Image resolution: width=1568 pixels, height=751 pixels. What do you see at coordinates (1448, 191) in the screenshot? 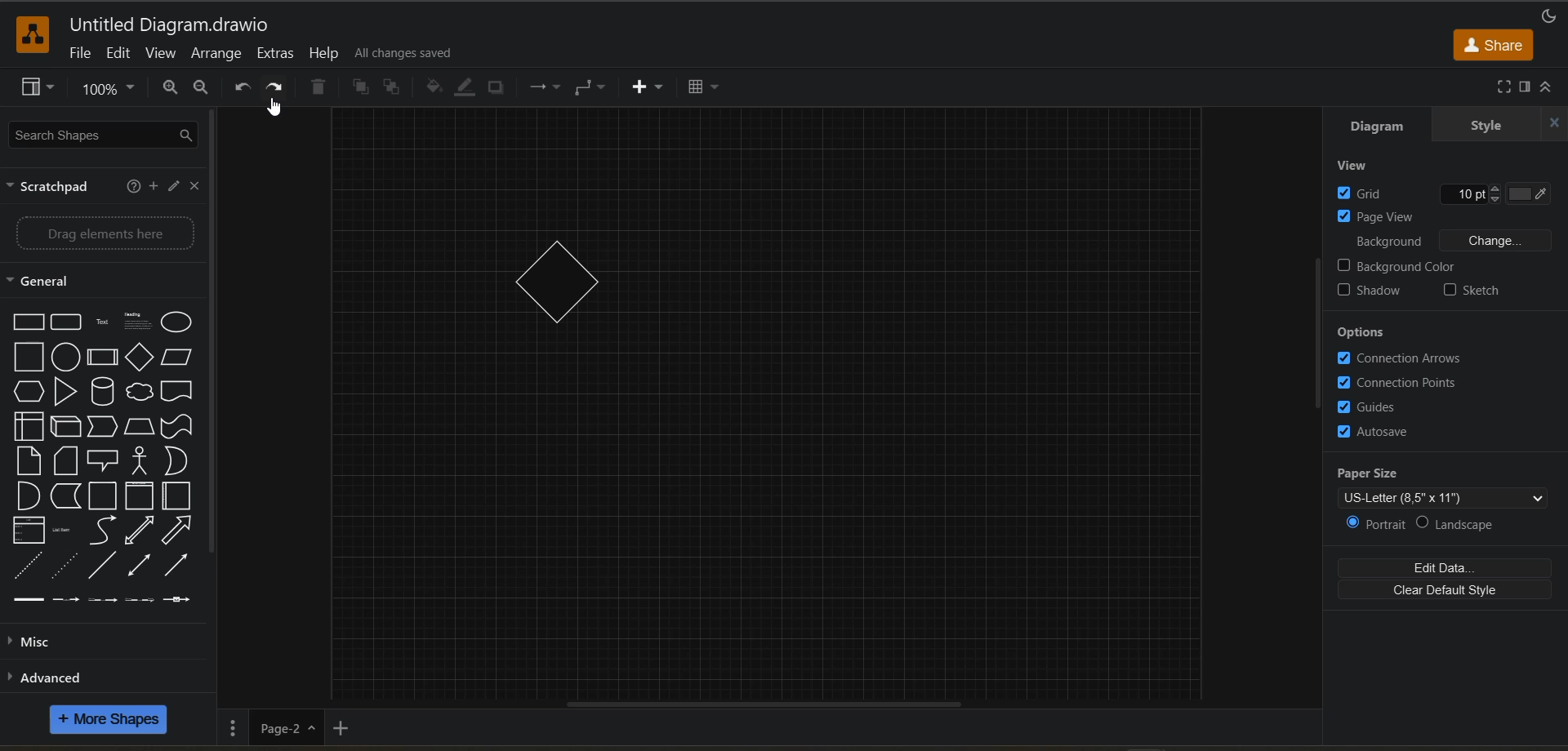
I see `grid` at bounding box center [1448, 191].